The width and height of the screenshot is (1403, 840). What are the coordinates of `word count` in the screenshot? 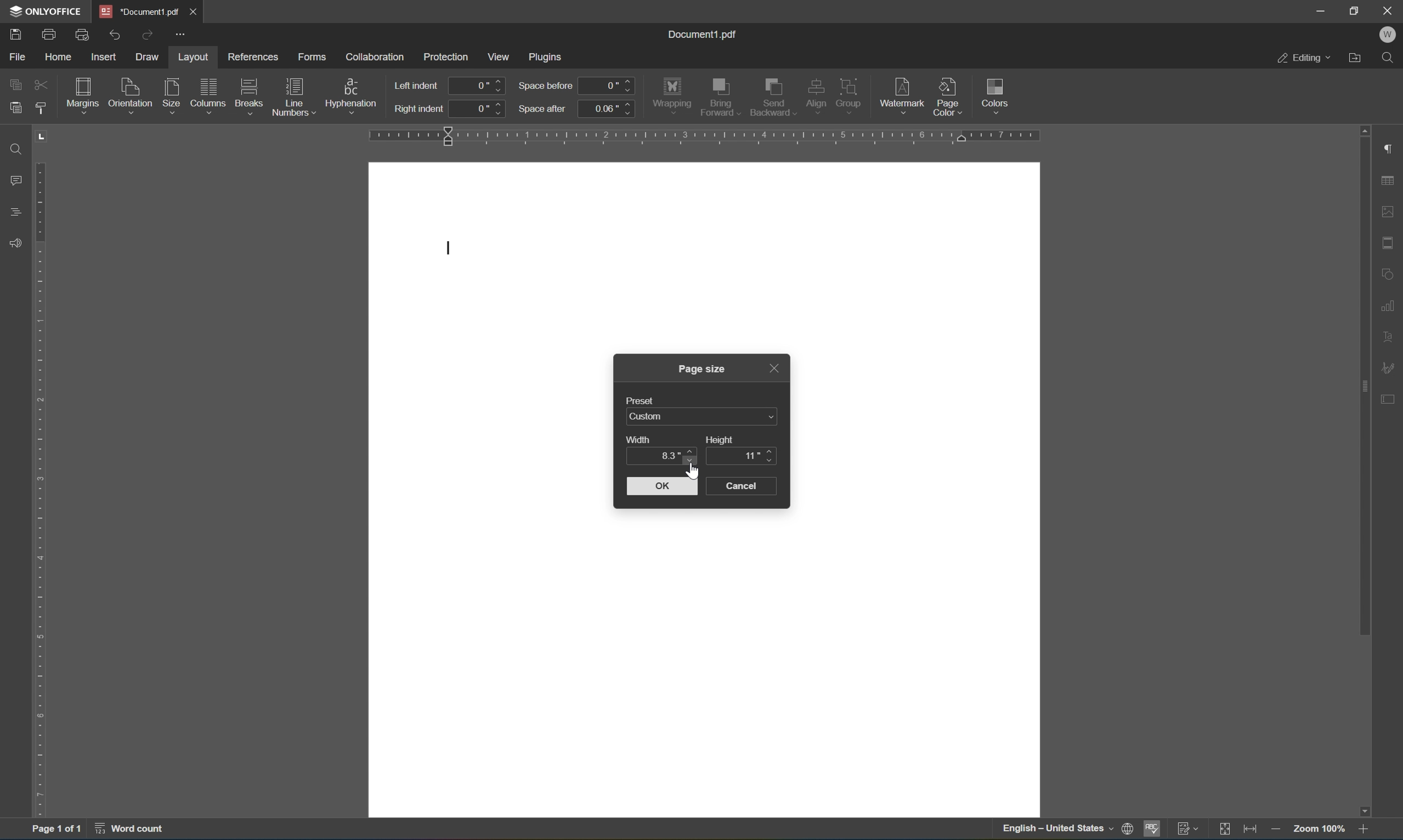 It's located at (126, 832).